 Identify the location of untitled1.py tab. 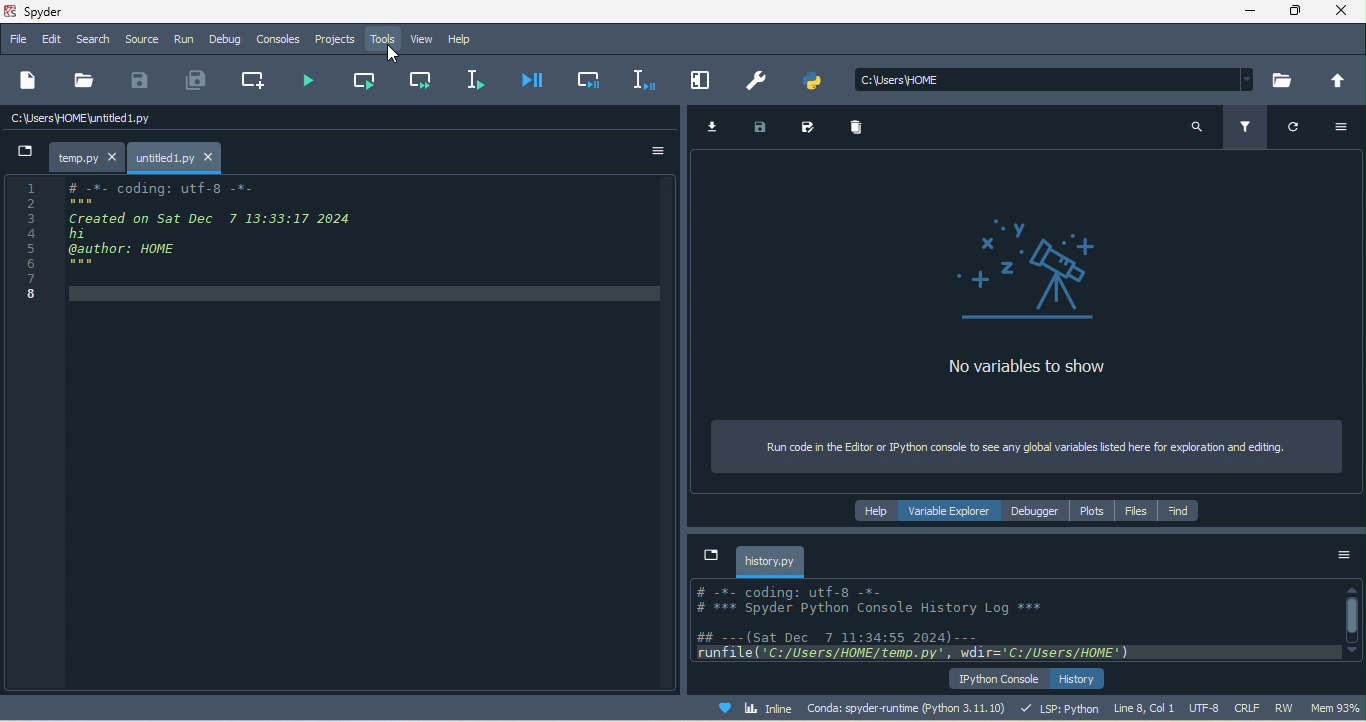
(178, 156).